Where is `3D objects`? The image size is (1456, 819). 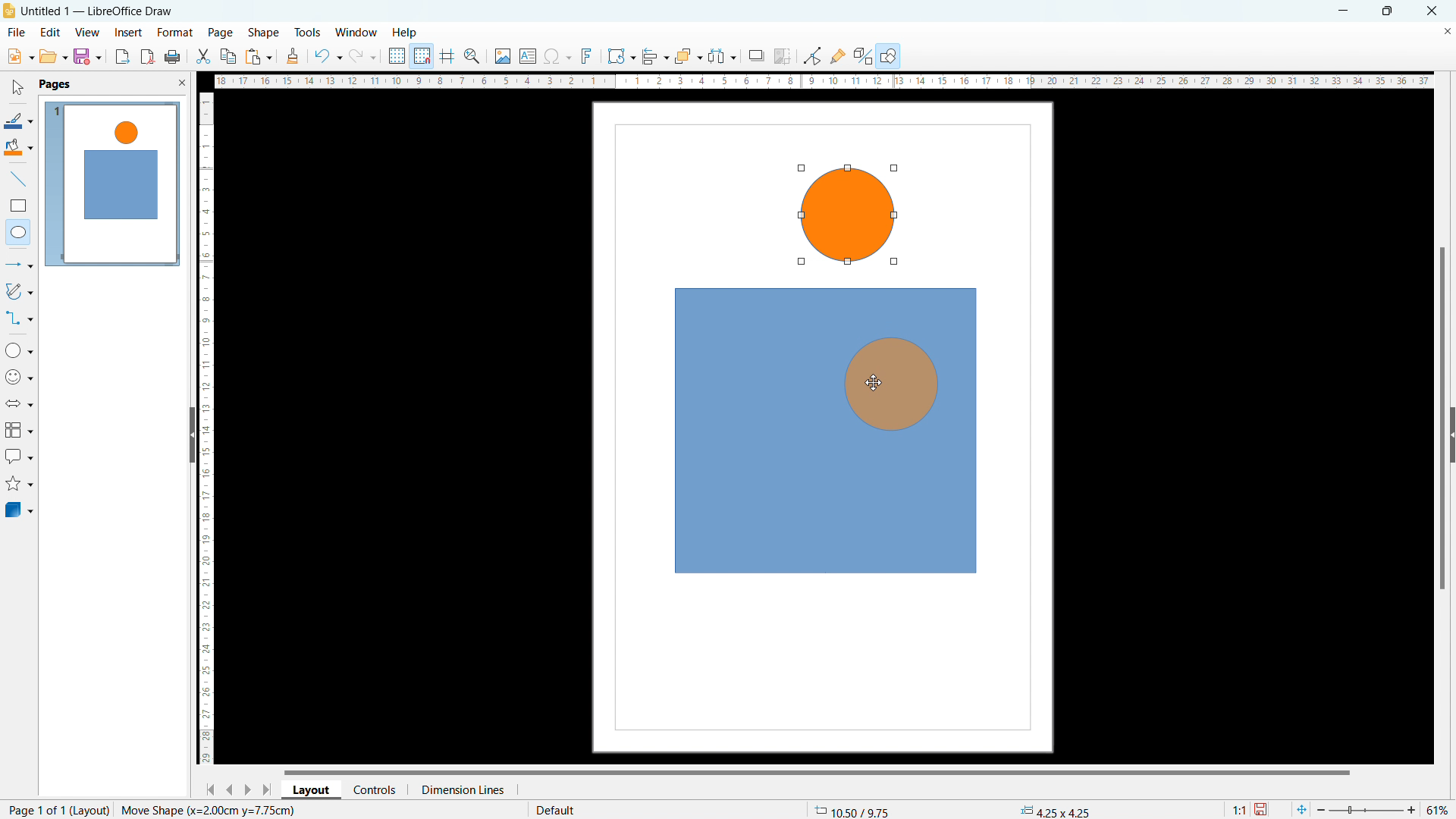
3D objects is located at coordinates (18, 509).